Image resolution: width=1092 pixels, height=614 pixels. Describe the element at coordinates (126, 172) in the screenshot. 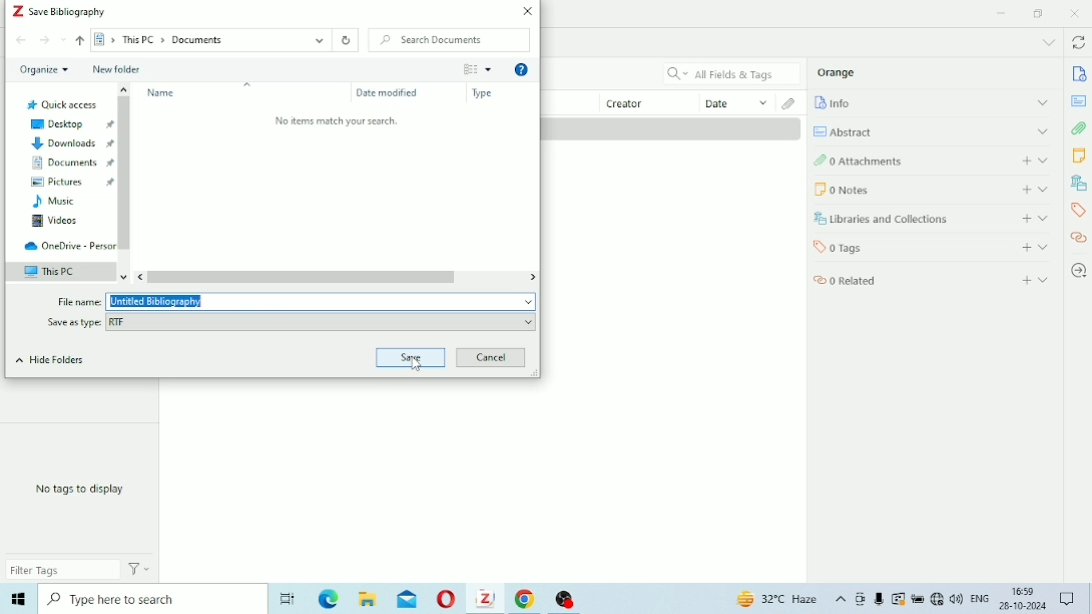

I see `Vertical scrollbar` at that location.